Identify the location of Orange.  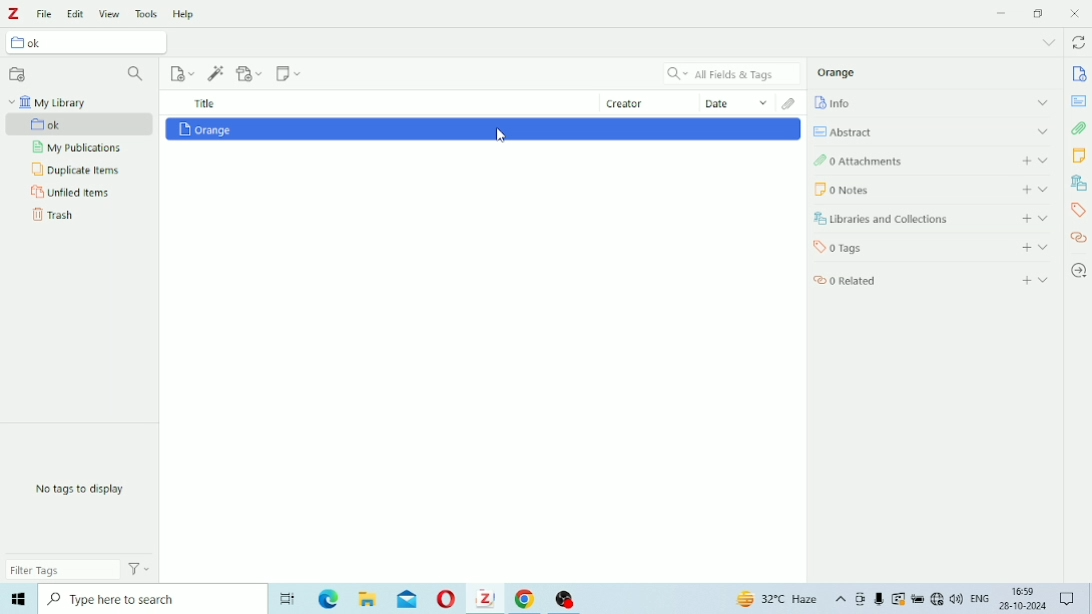
(837, 72).